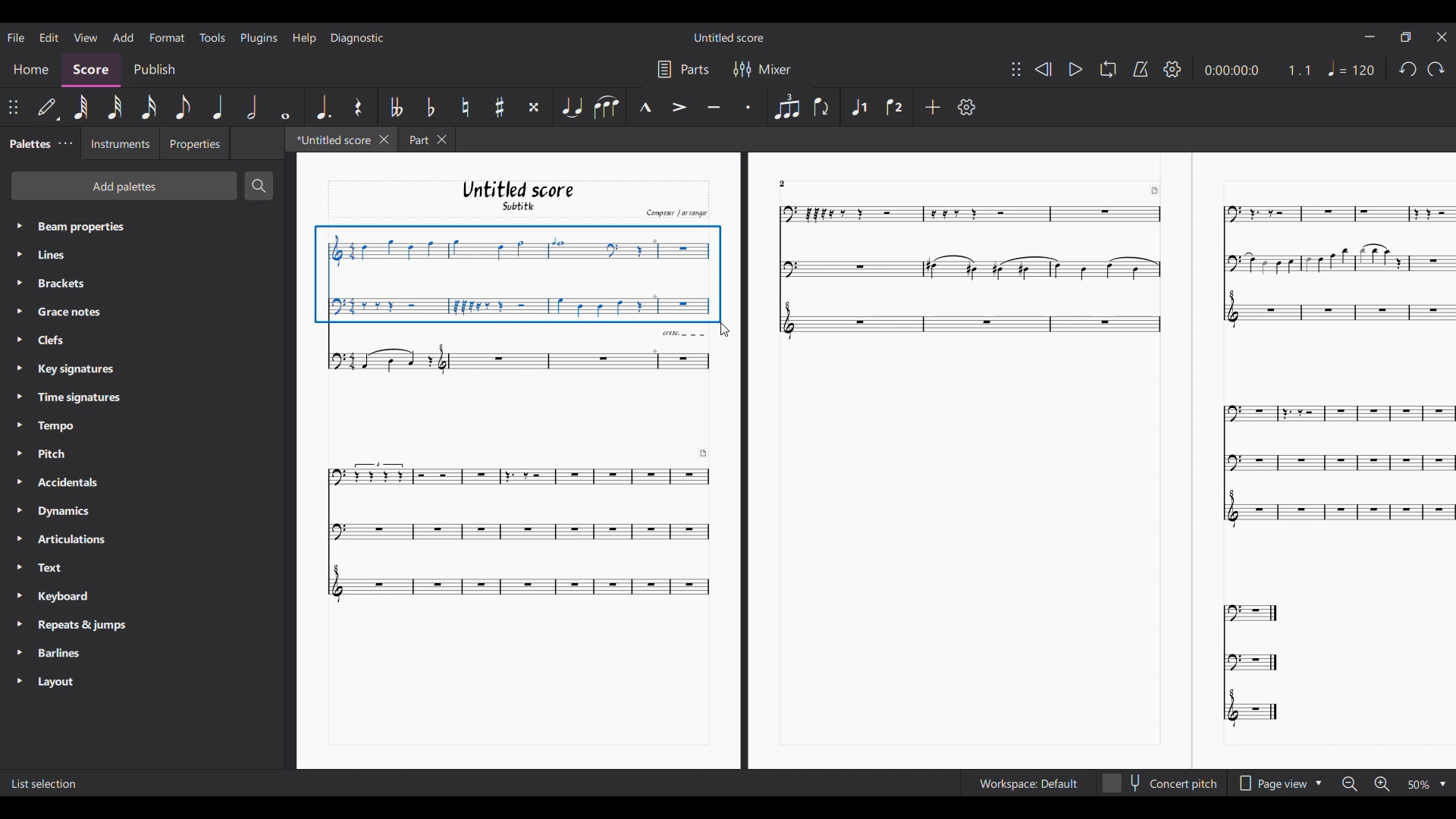  I want to click on Page view options, so click(1269, 783).